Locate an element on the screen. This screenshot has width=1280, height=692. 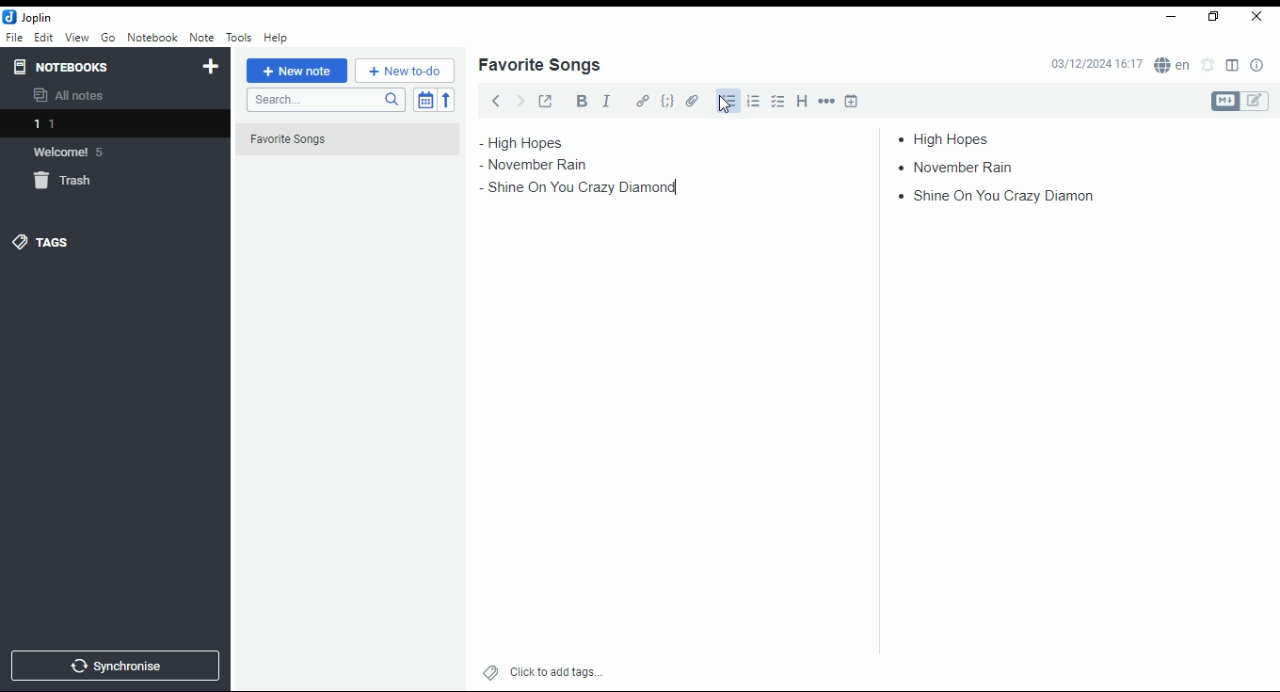
search is located at coordinates (325, 100).